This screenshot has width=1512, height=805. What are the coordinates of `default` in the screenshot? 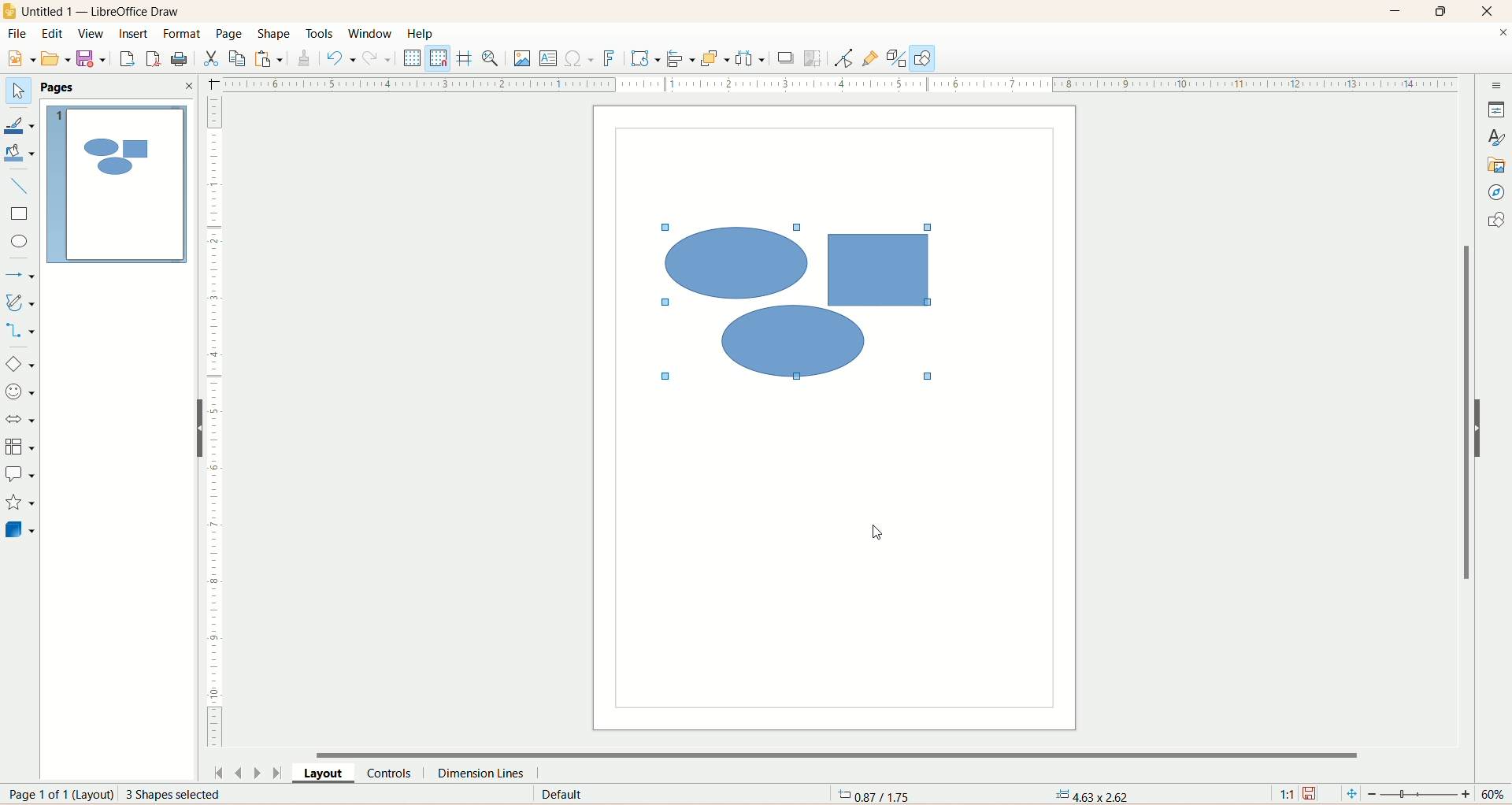 It's located at (560, 795).